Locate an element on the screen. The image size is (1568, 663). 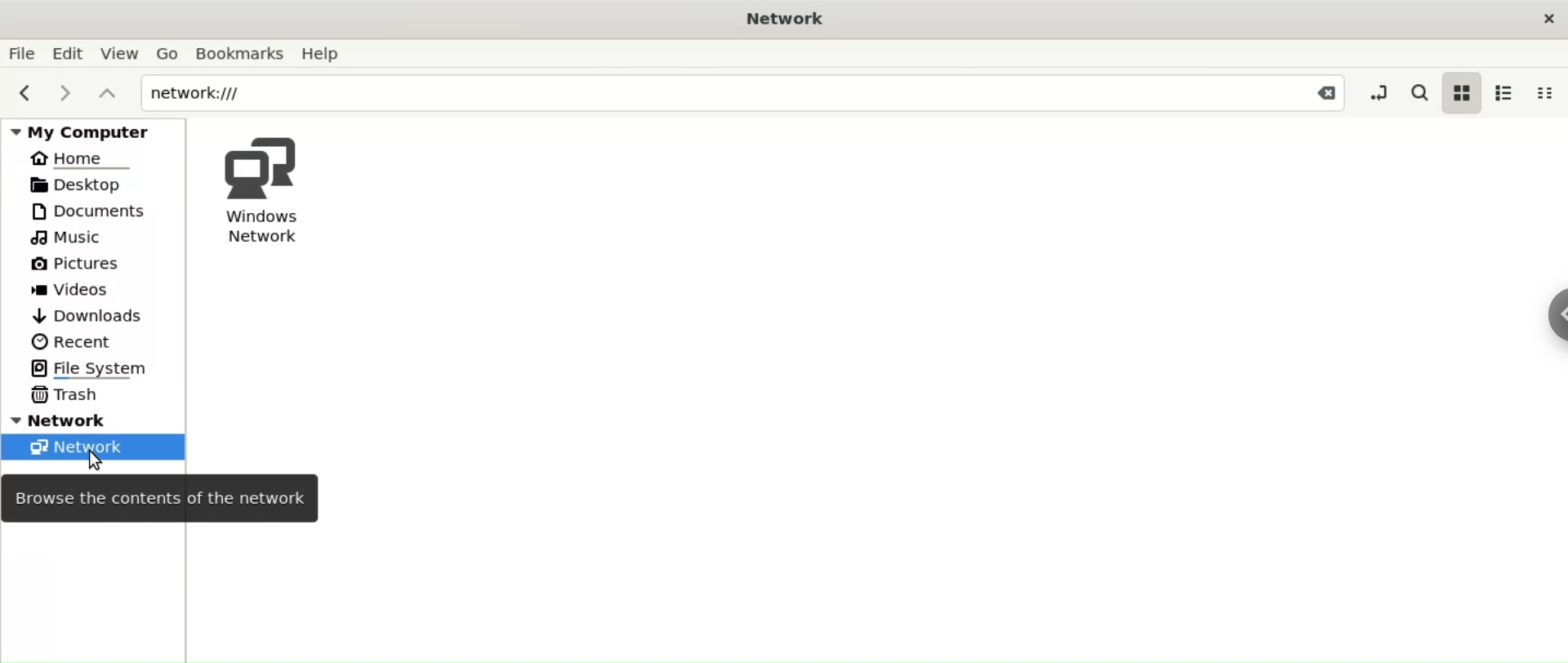
next is located at coordinates (67, 94).